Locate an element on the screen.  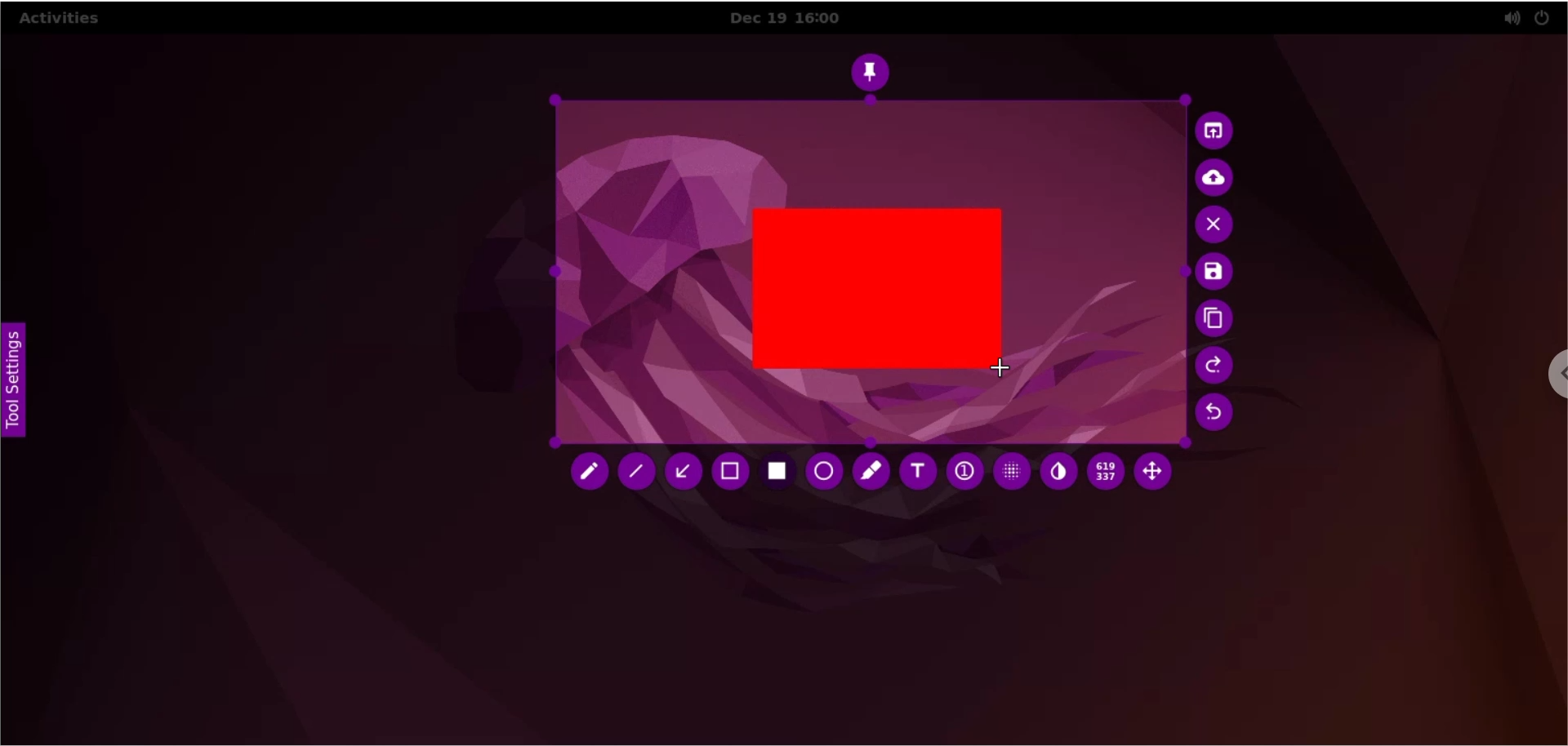
upload  is located at coordinates (1221, 178).